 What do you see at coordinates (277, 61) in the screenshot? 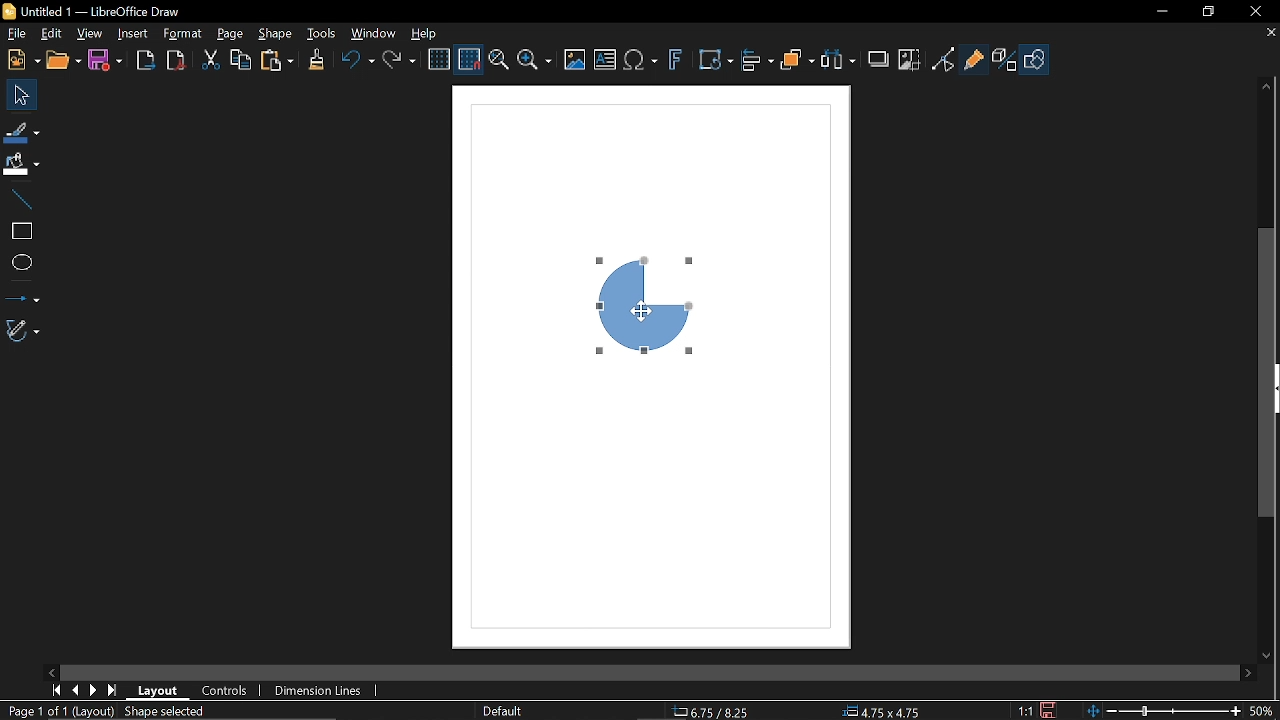
I see `Paste` at bounding box center [277, 61].